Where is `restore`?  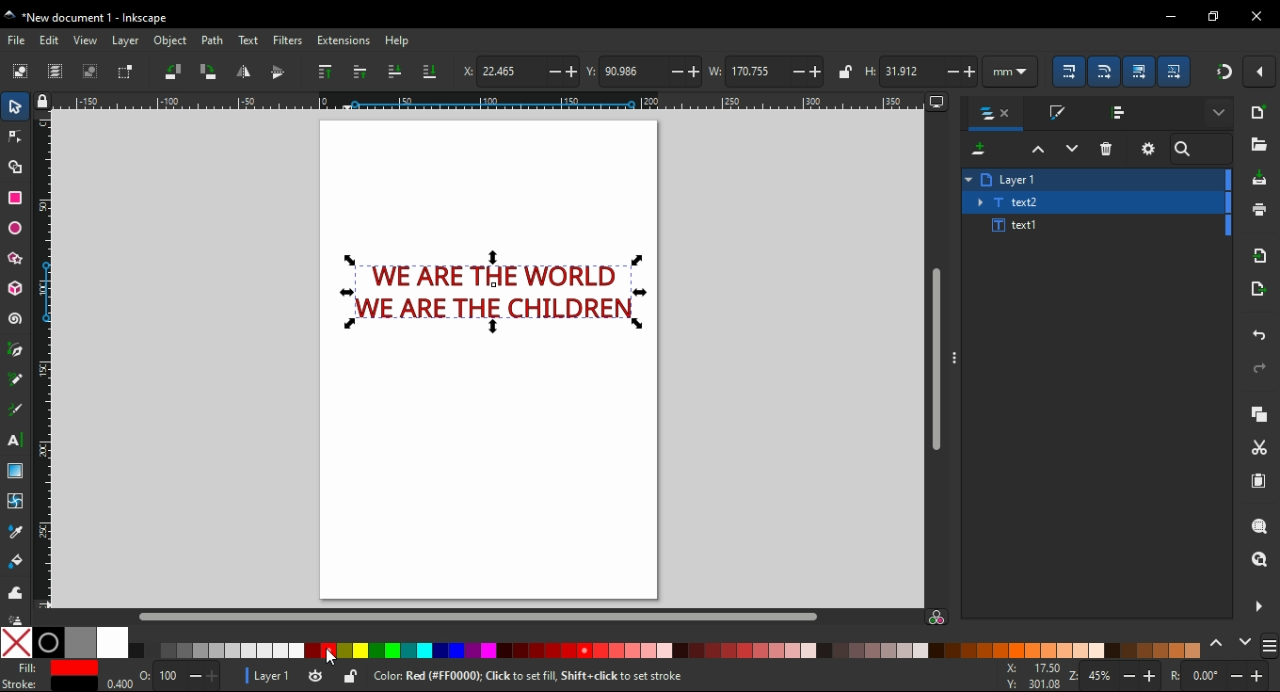
restore is located at coordinates (1215, 17).